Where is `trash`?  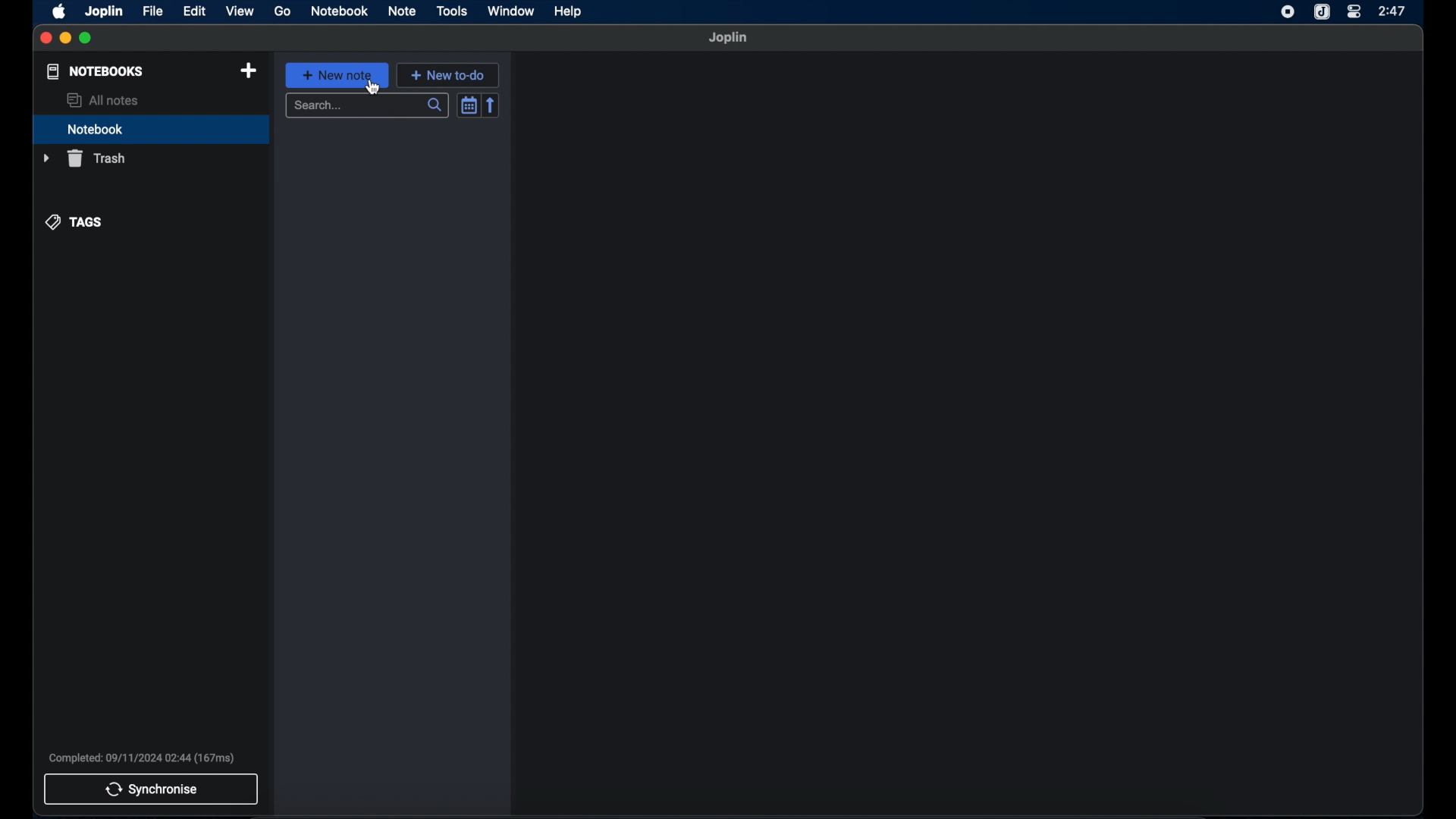
trash is located at coordinates (86, 158).